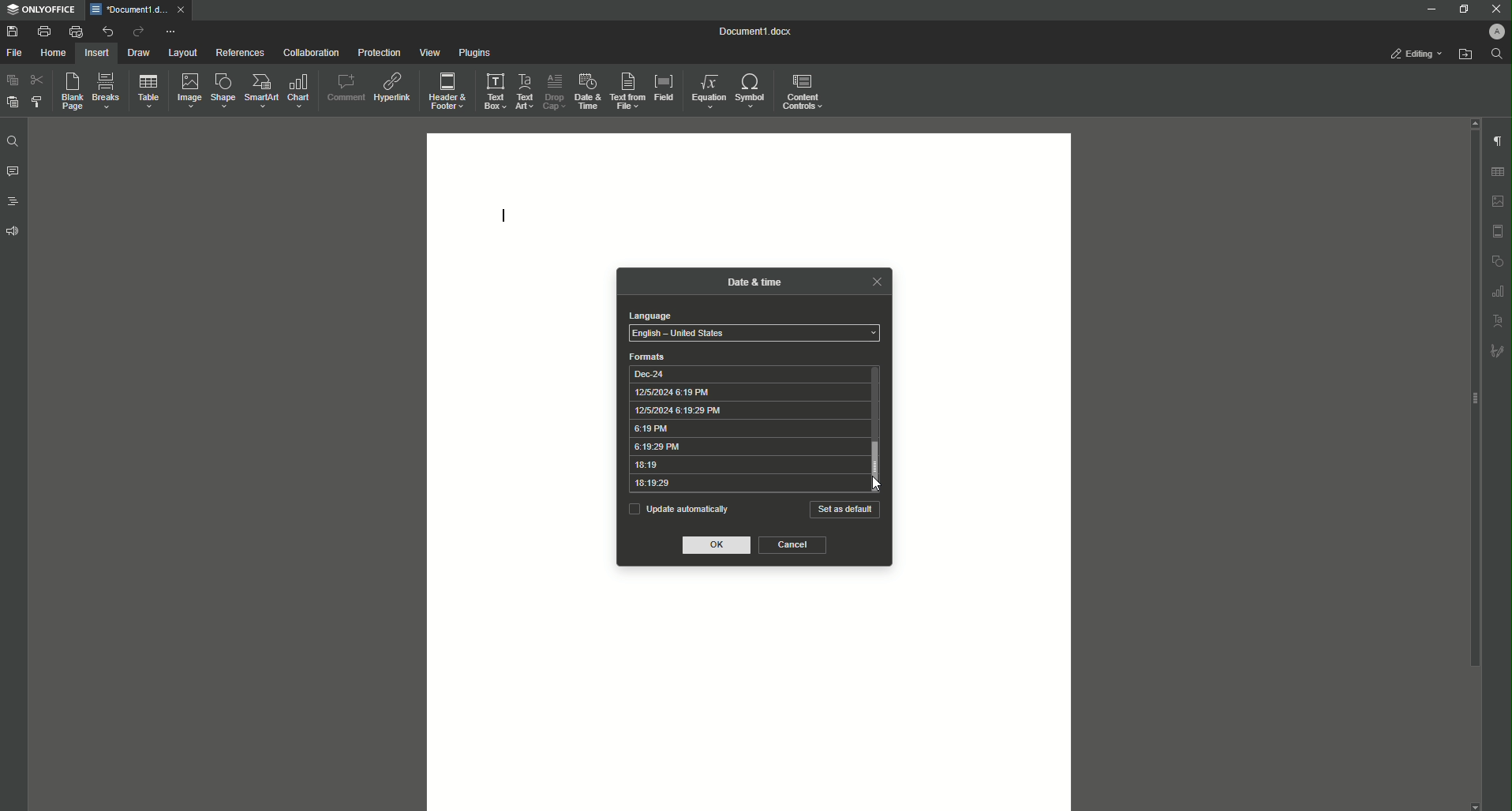 The height and width of the screenshot is (811, 1512). What do you see at coordinates (13, 172) in the screenshot?
I see `Comments` at bounding box center [13, 172].